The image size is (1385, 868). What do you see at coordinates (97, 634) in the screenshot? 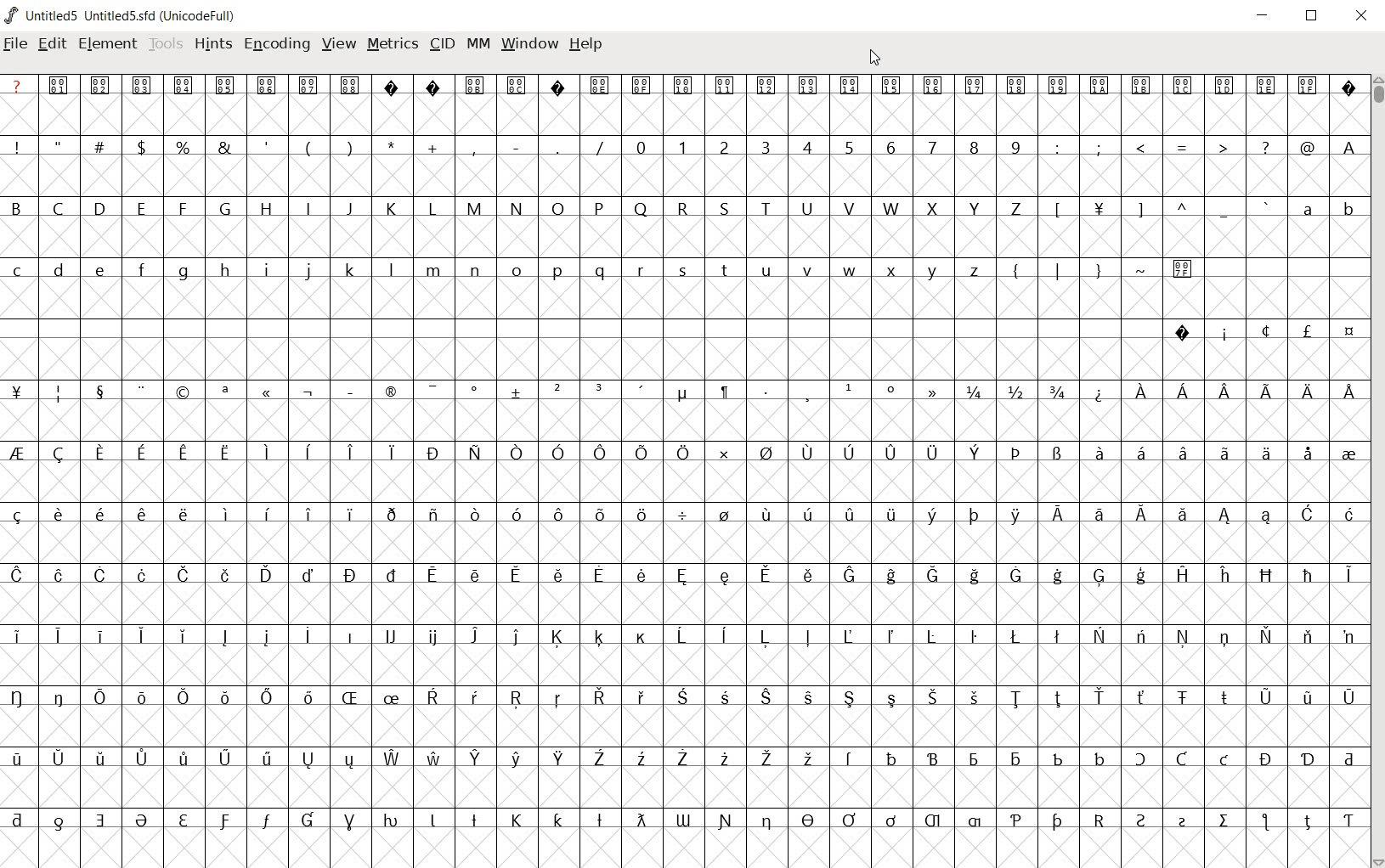
I see `Symbol` at bounding box center [97, 634].